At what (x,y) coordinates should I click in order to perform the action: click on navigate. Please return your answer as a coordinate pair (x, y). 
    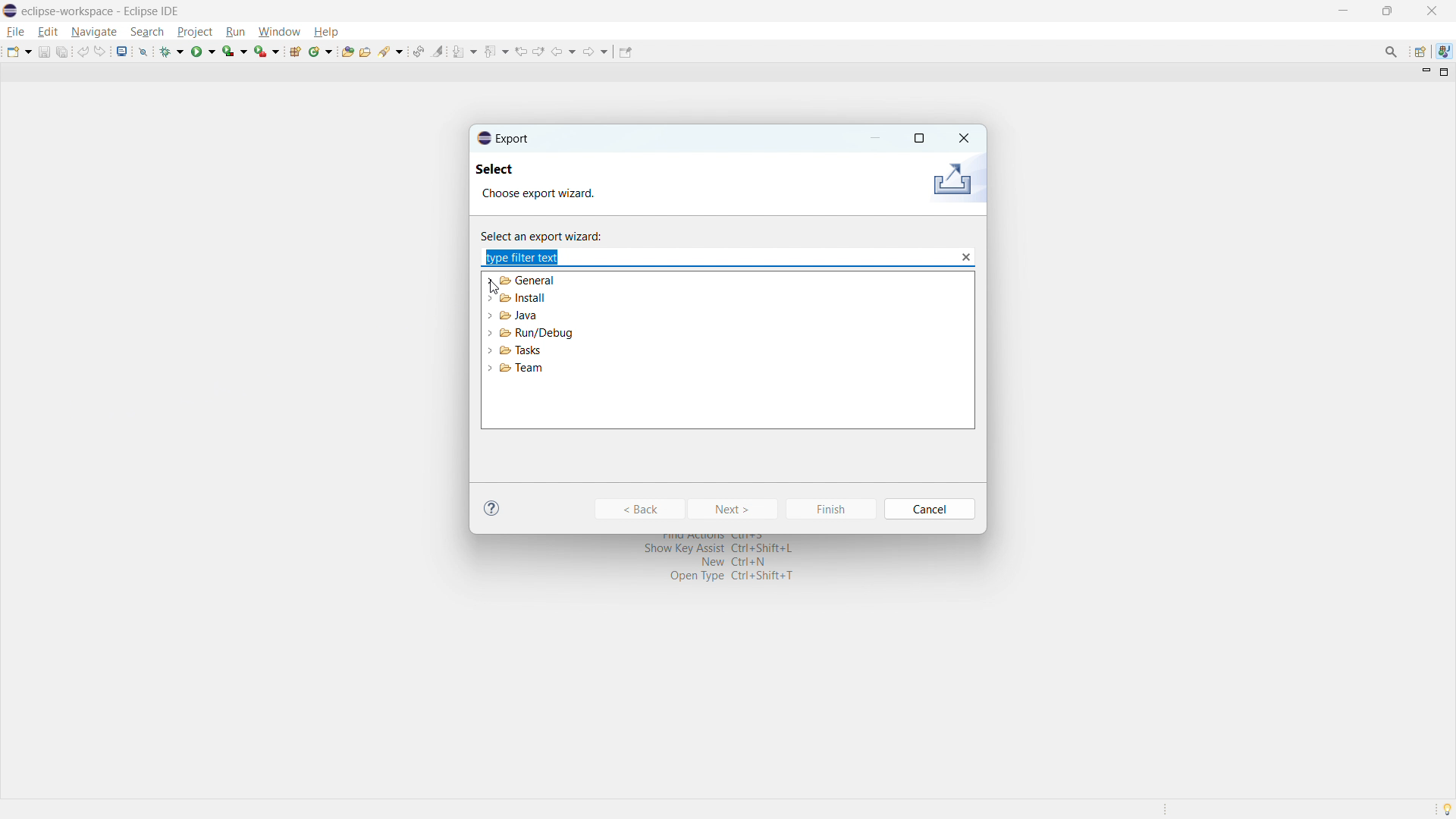
    Looking at the image, I should click on (93, 33).